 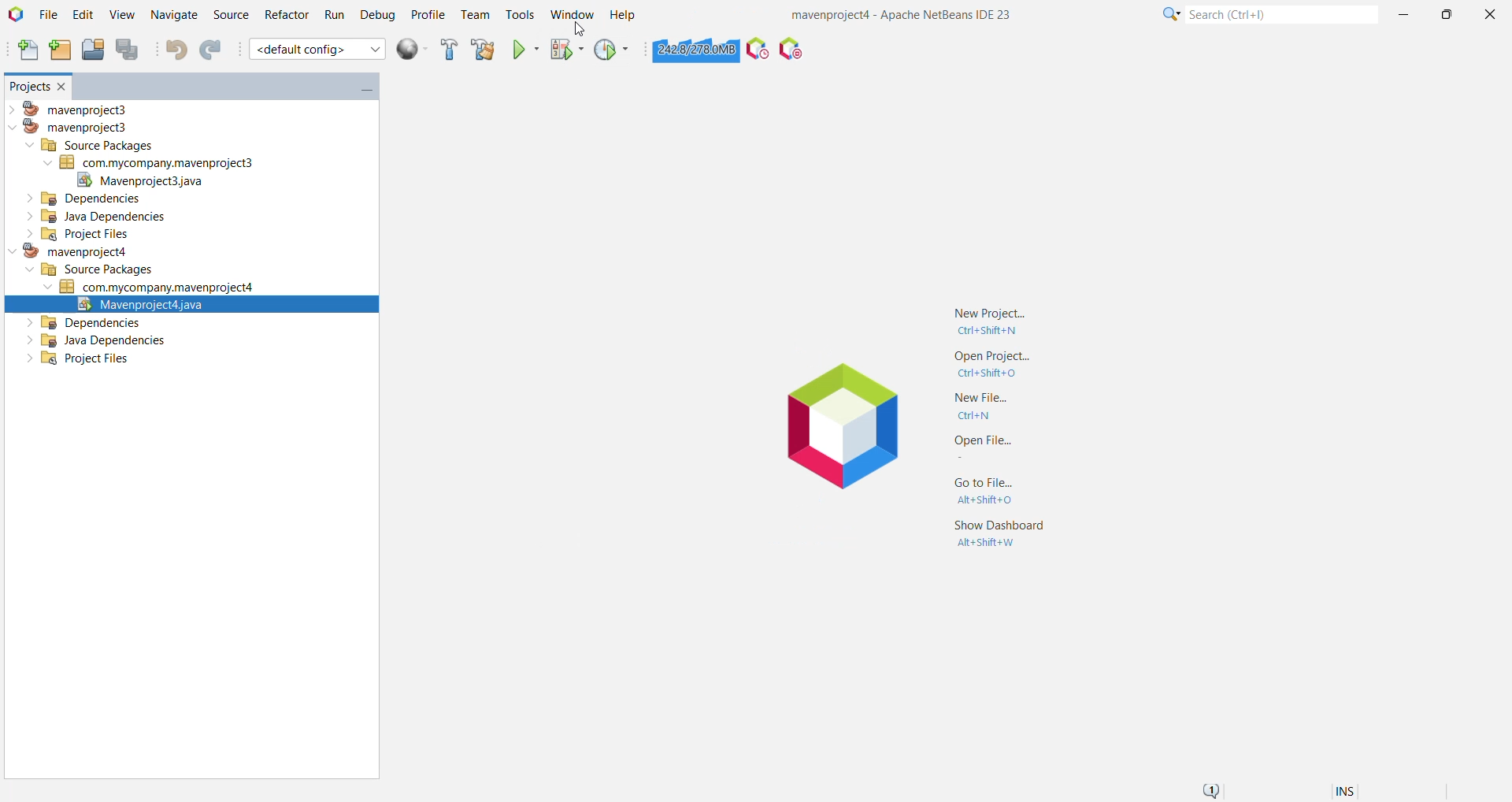 What do you see at coordinates (81, 15) in the screenshot?
I see `Edit` at bounding box center [81, 15].